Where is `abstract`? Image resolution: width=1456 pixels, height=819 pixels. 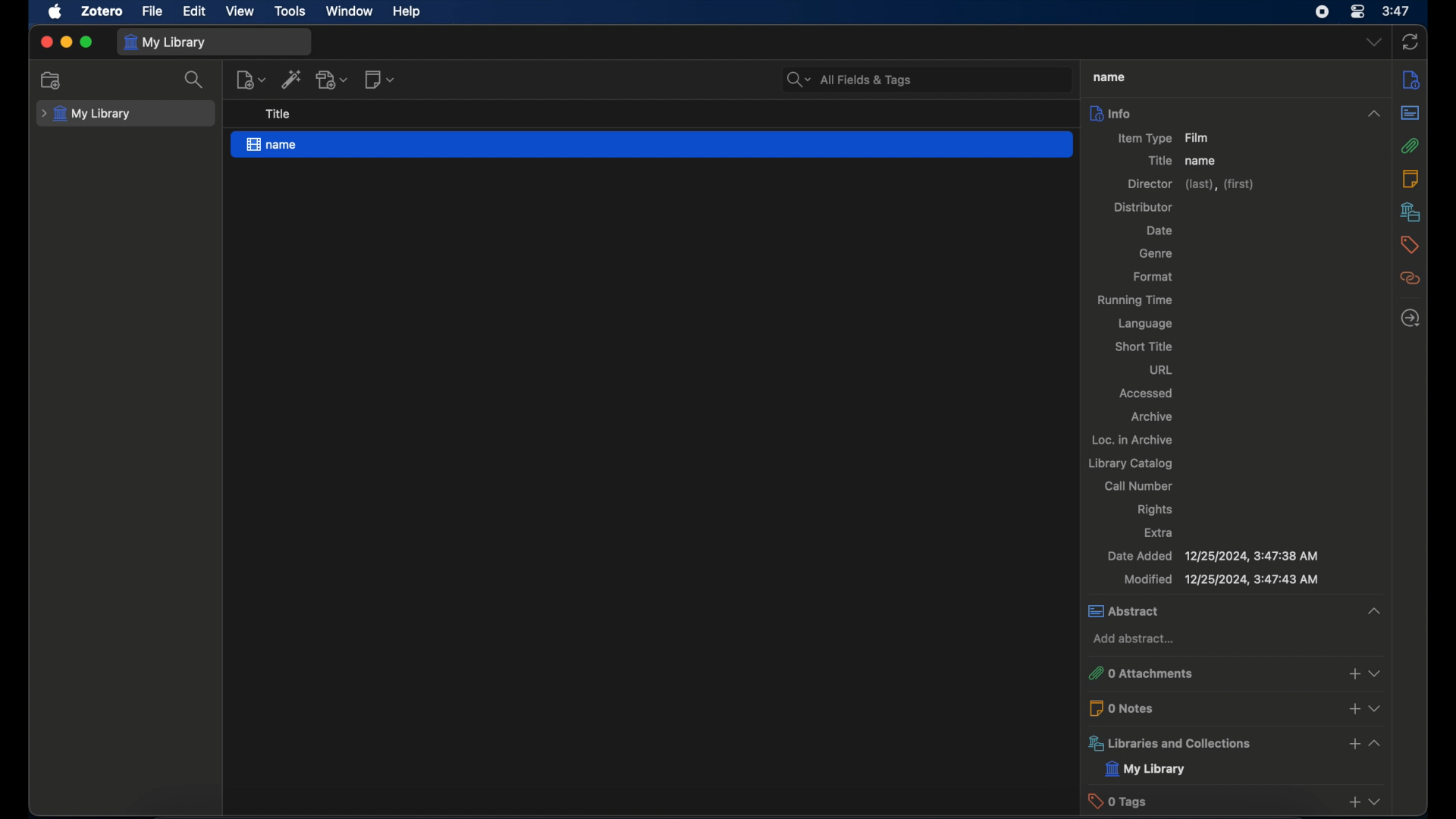
abstract is located at coordinates (1411, 113).